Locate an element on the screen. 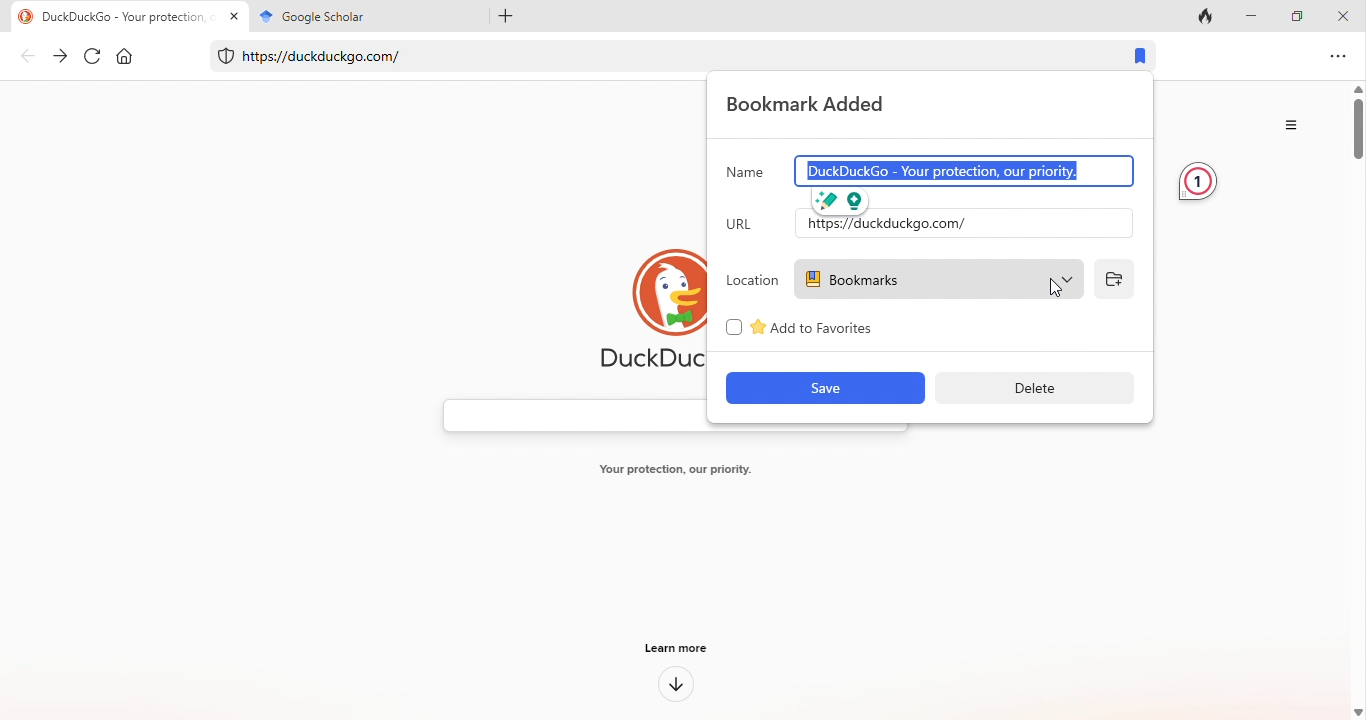 The width and height of the screenshot is (1366, 720). bookmark is located at coordinates (1142, 57).